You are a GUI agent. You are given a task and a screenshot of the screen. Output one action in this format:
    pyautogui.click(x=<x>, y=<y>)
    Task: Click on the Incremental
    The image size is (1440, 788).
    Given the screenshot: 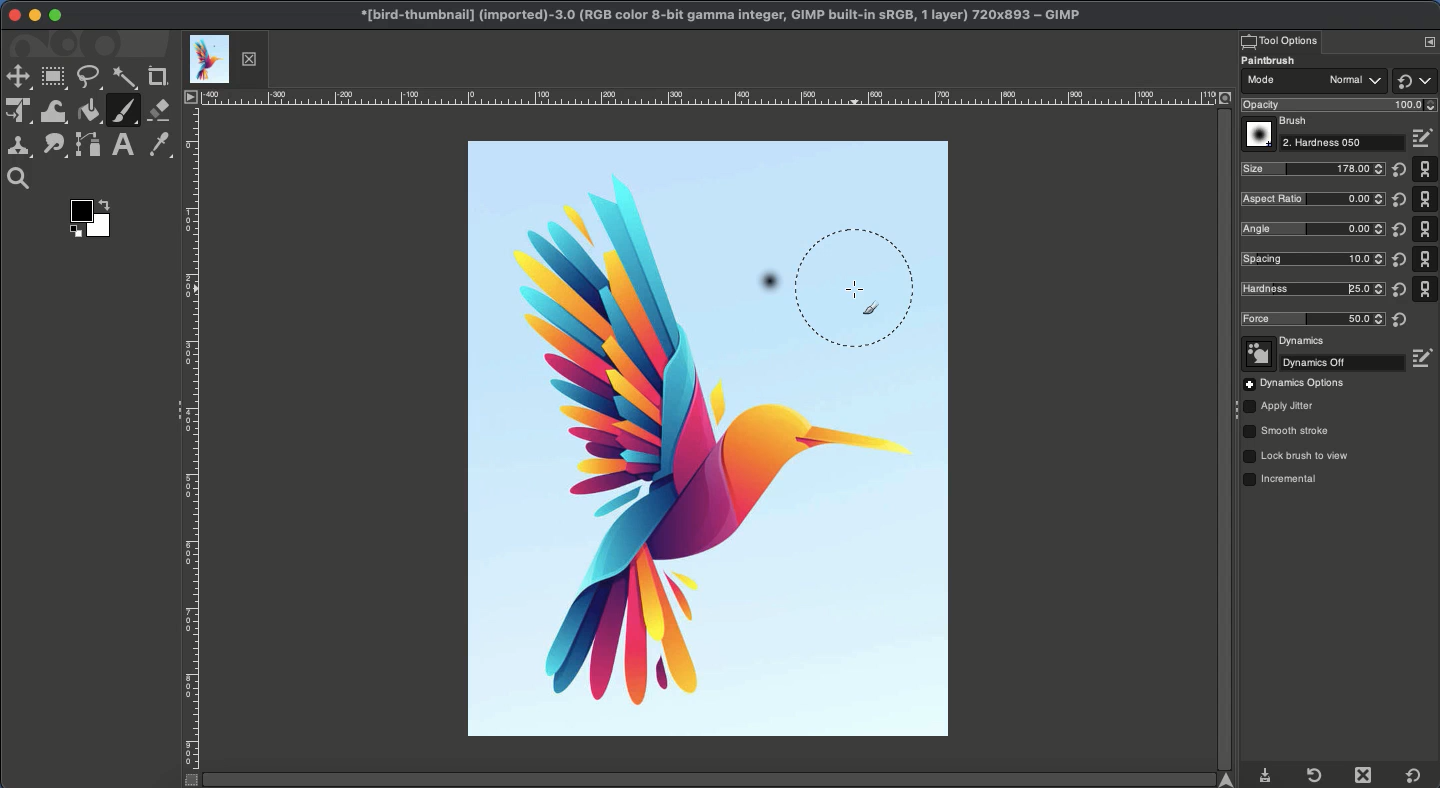 What is the action you would take?
    pyautogui.click(x=1285, y=481)
    